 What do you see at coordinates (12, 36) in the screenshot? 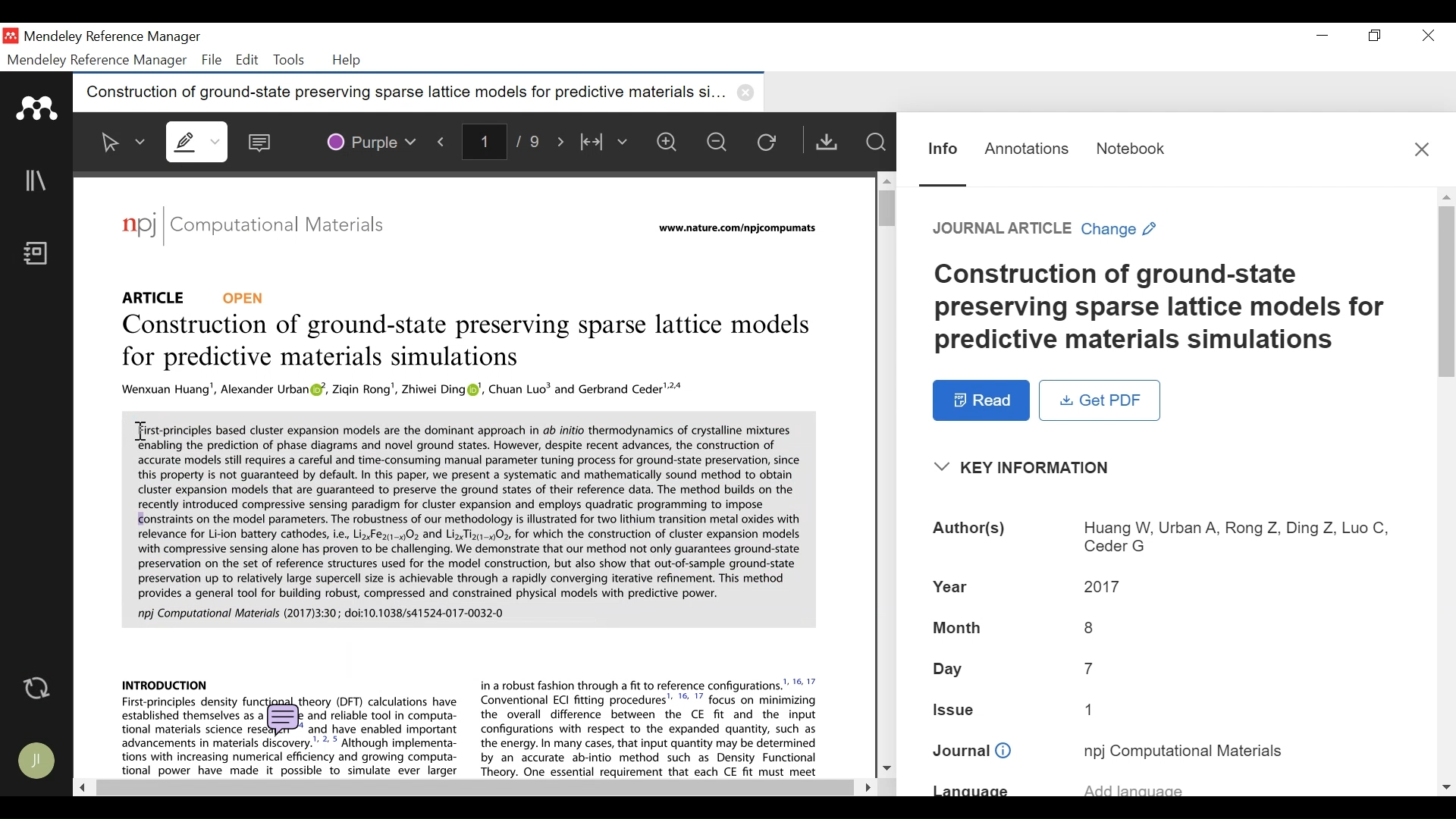
I see `Mendeley Desktop Icon` at bounding box center [12, 36].